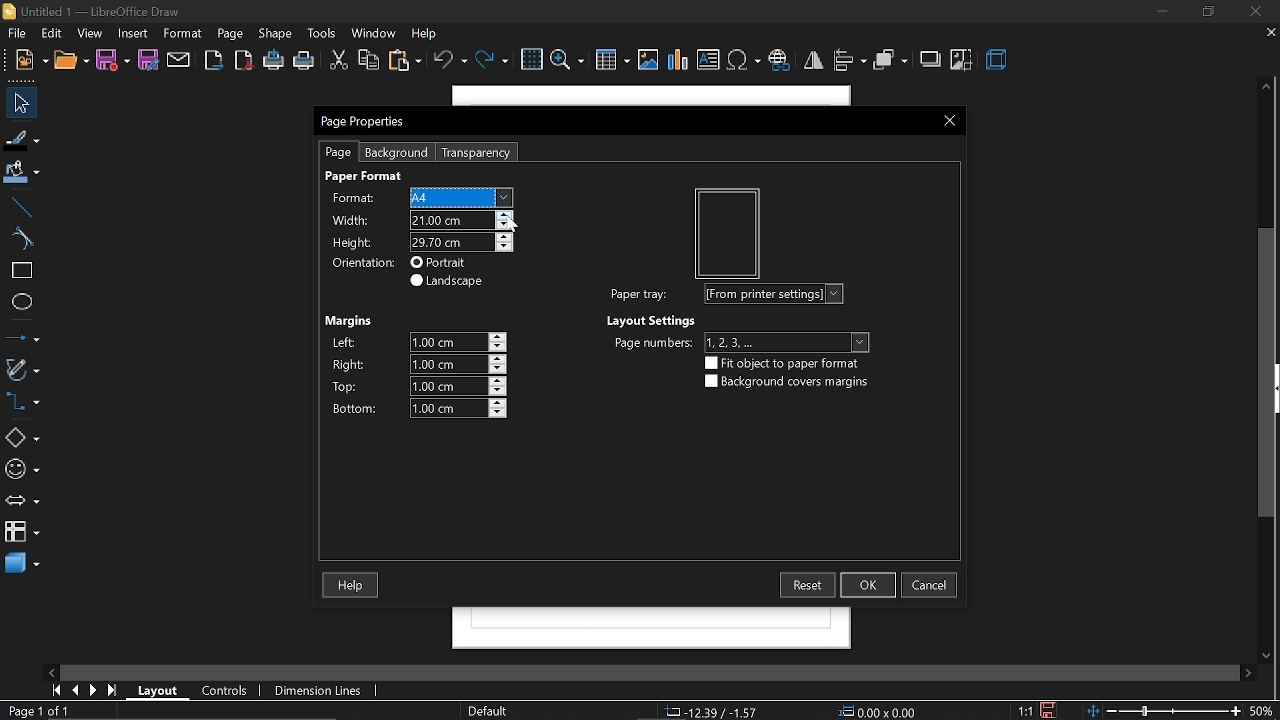 Image resolution: width=1280 pixels, height=720 pixels. What do you see at coordinates (22, 530) in the screenshot?
I see `flowchart` at bounding box center [22, 530].